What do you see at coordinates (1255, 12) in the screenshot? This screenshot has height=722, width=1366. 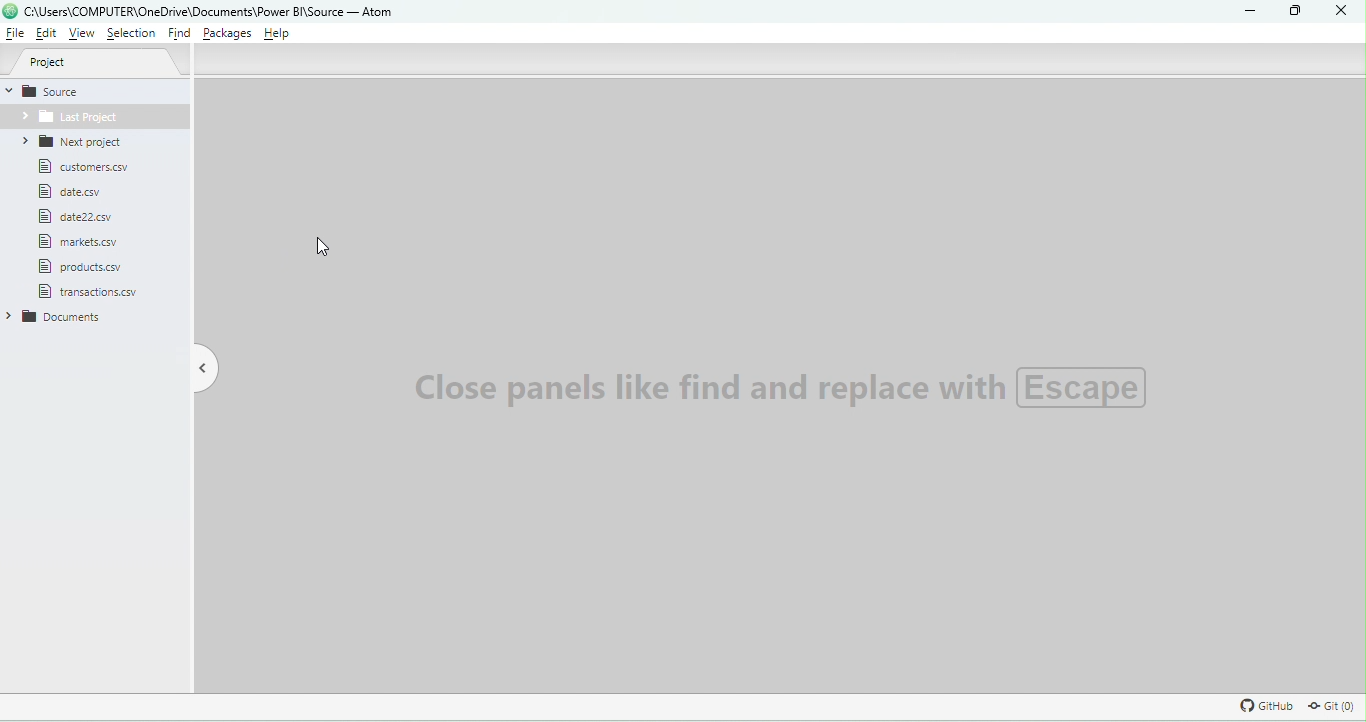 I see `Minimize` at bounding box center [1255, 12].